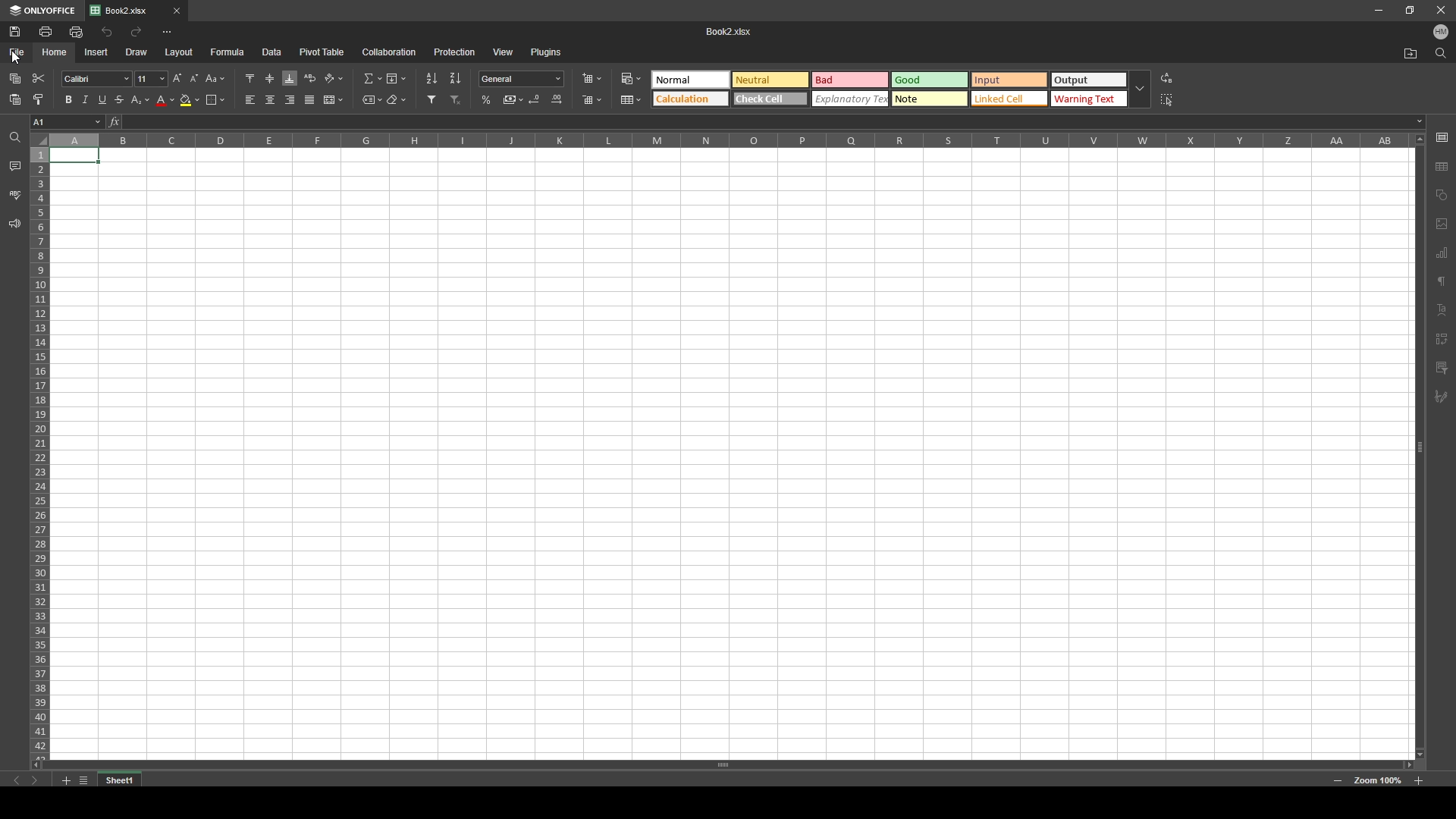  What do you see at coordinates (15, 79) in the screenshot?
I see `paste` at bounding box center [15, 79].